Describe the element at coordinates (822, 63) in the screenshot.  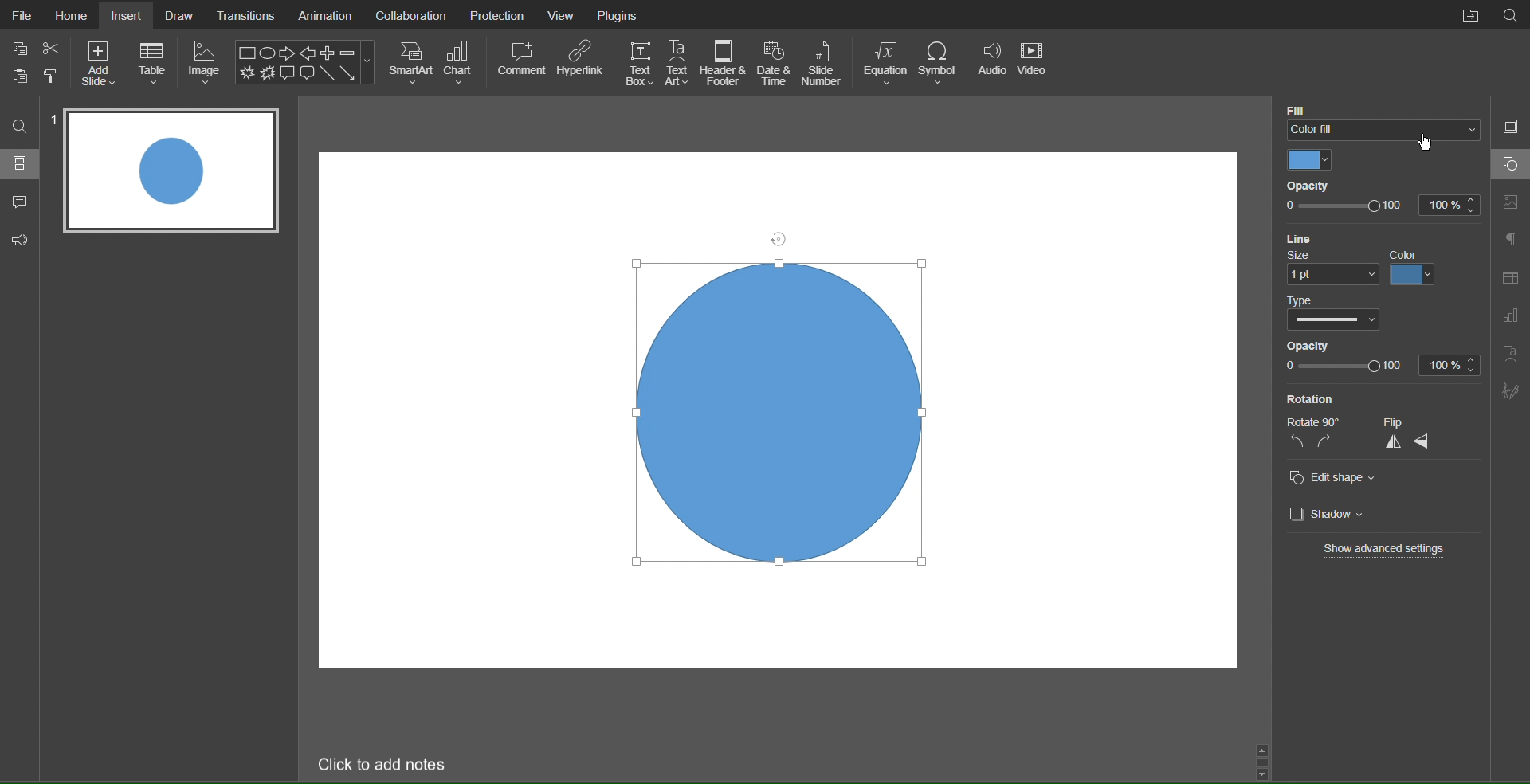
I see `Slide Number` at that location.